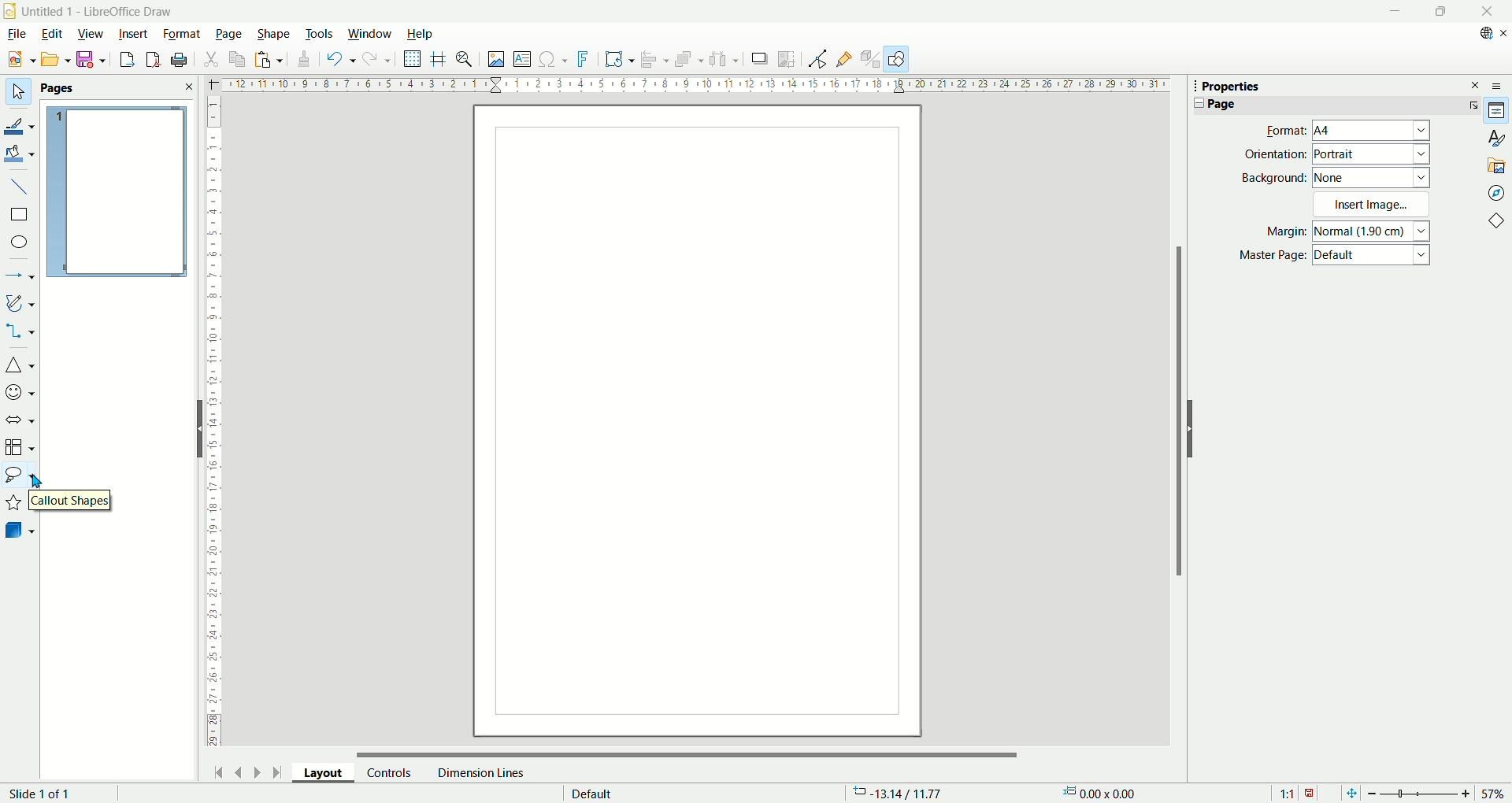 The image size is (1512, 803). I want to click on lines and arrows, so click(20, 277).